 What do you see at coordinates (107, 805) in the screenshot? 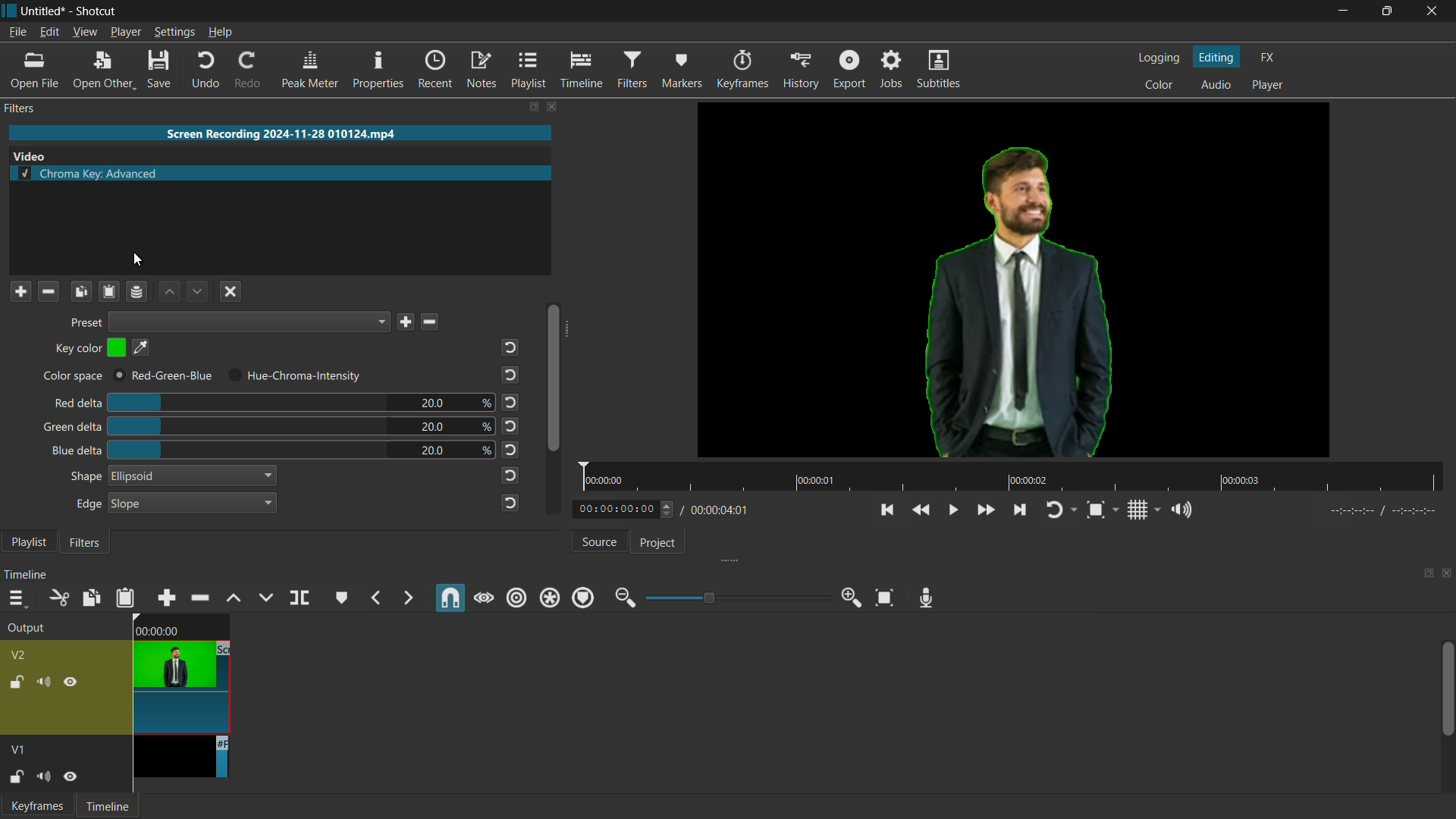
I see `Timeline` at bounding box center [107, 805].